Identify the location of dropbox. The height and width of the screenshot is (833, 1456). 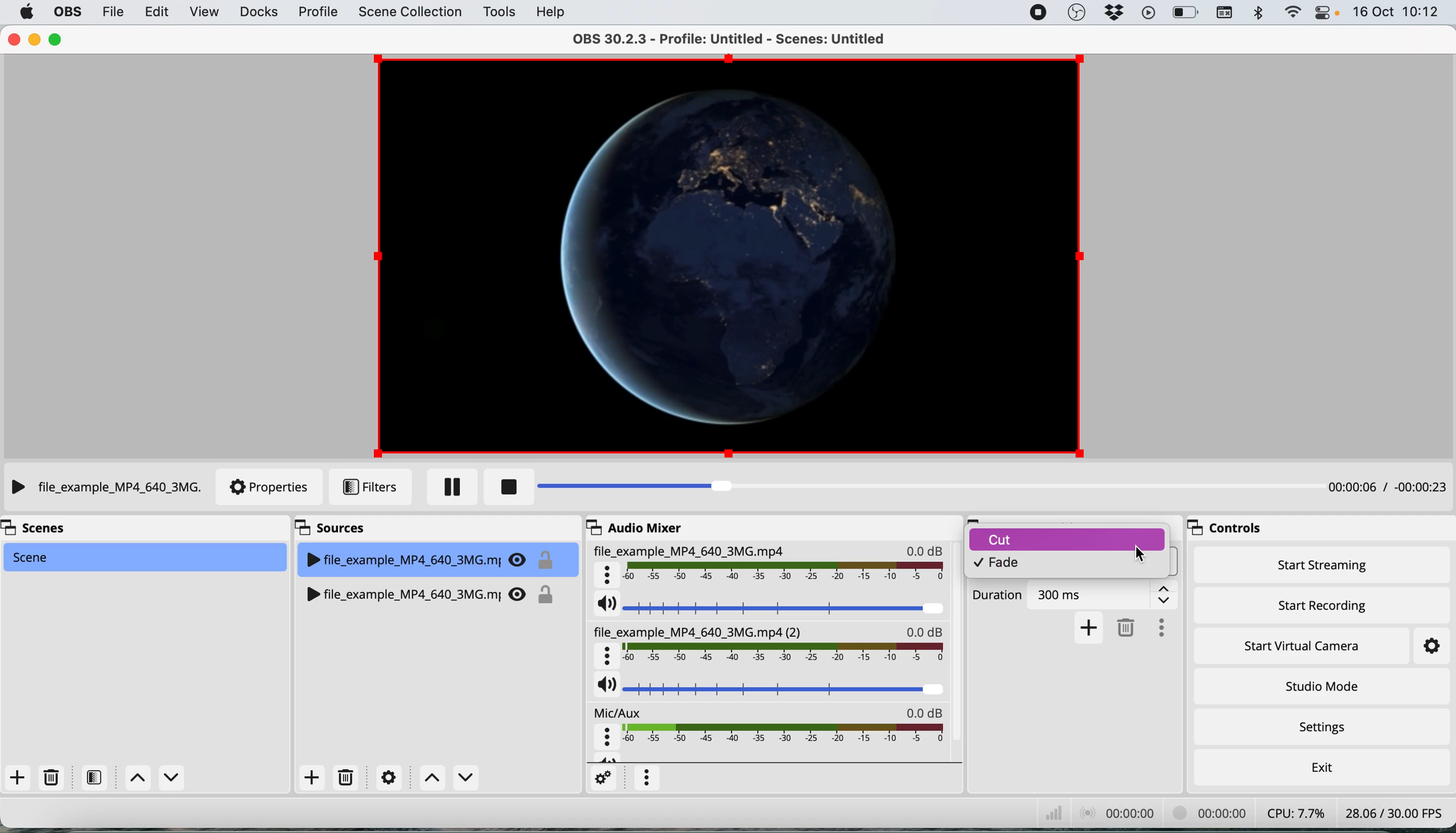
(1115, 11).